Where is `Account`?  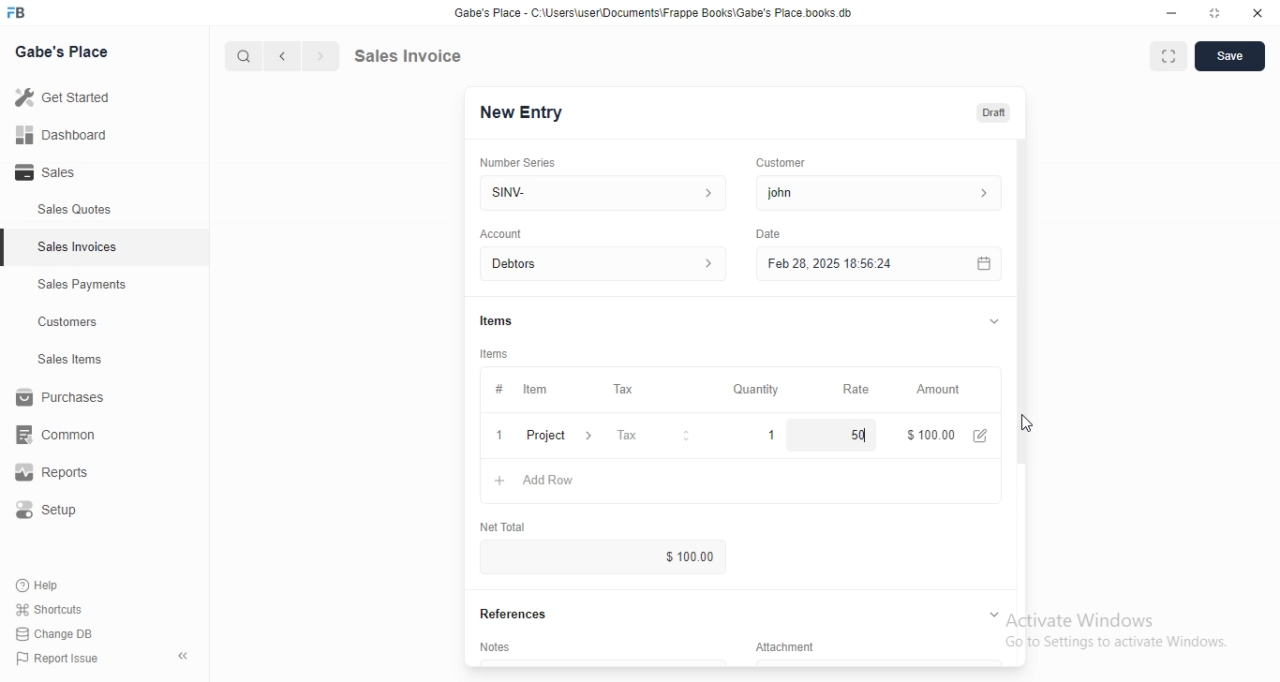
Account is located at coordinates (607, 264).